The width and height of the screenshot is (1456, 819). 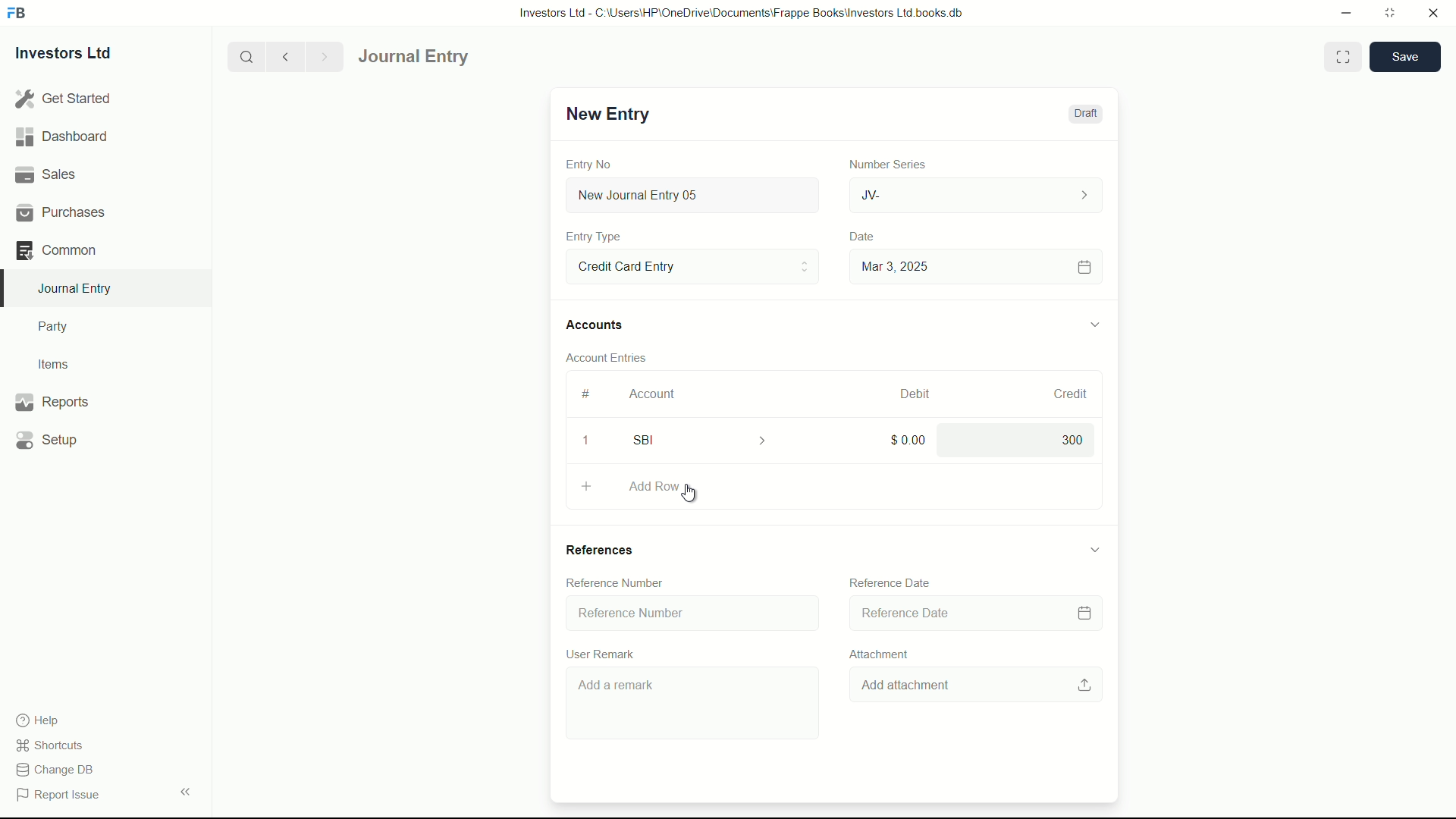 What do you see at coordinates (695, 196) in the screenshot?
I see `New Journal Entry 05` at bounding box center [695, 196].